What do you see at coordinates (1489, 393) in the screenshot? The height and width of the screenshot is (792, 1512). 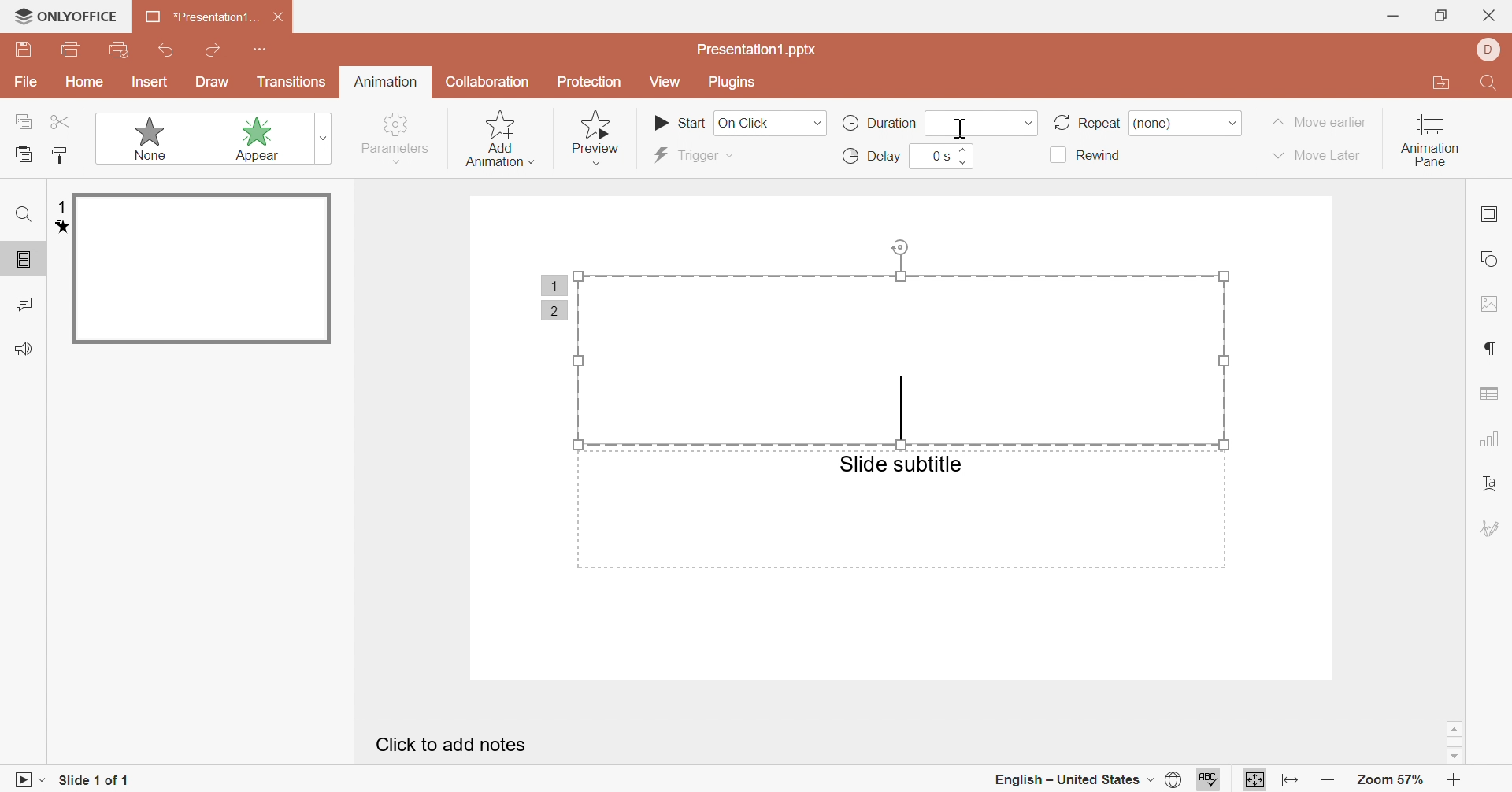 I see `table settings` at bounding box center [1489, 393].